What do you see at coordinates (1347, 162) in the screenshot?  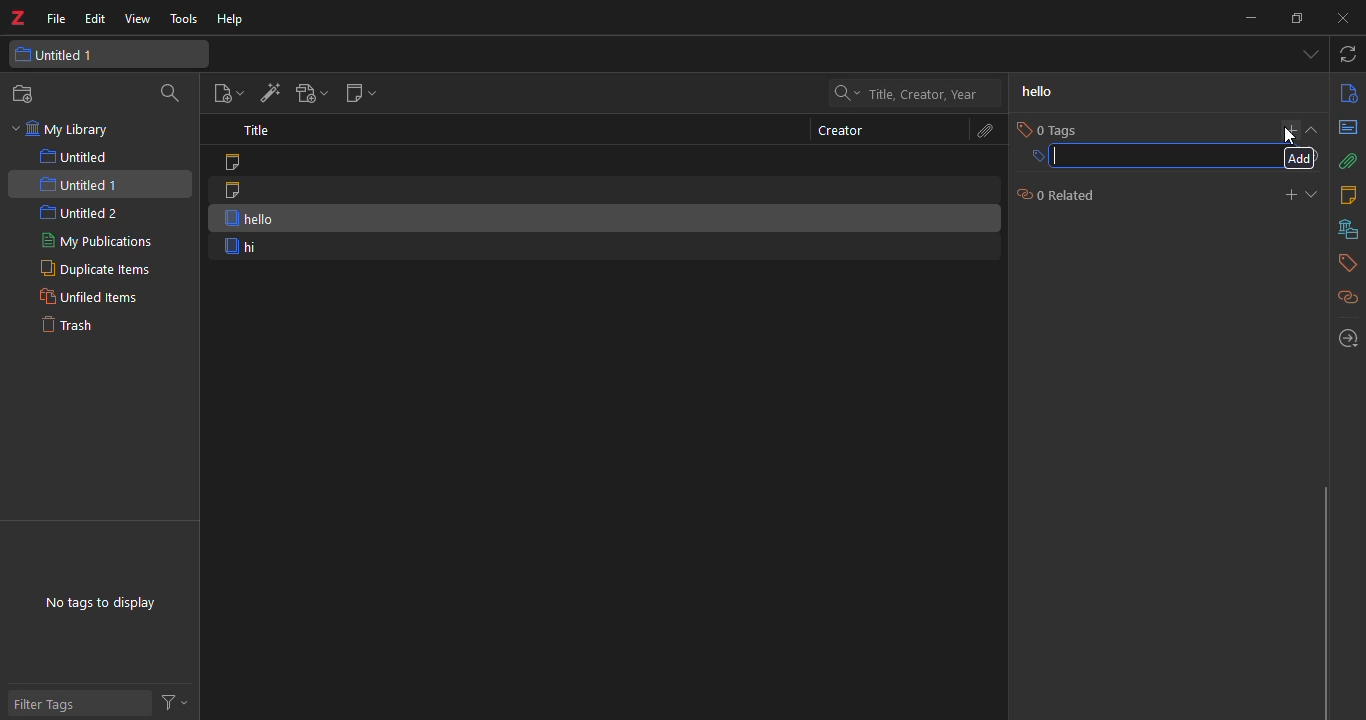 I see `attach` at bounding box center [1347, 162].